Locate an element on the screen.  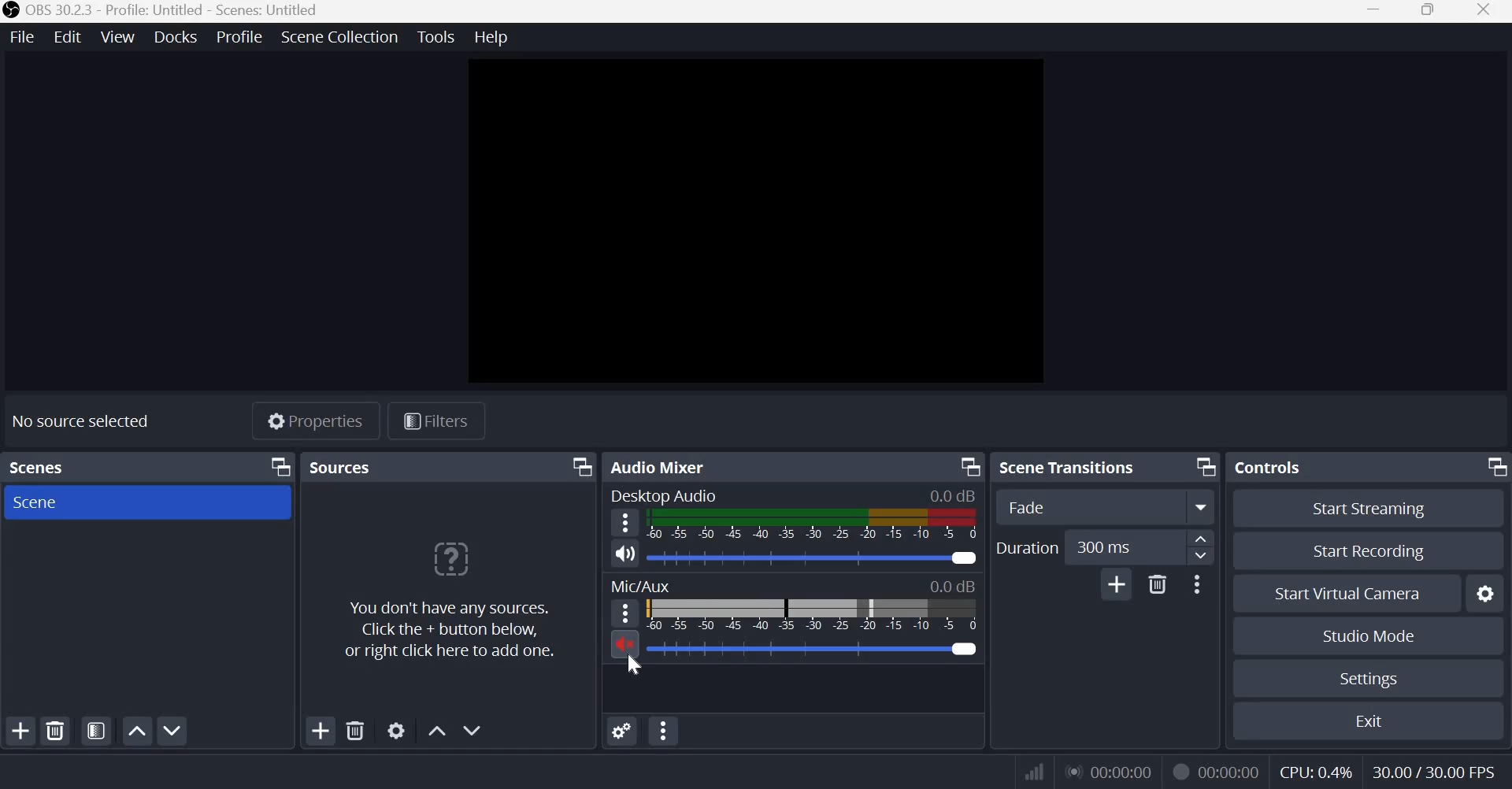
Start Virtual Camera is located at coordinates (1344, 591).